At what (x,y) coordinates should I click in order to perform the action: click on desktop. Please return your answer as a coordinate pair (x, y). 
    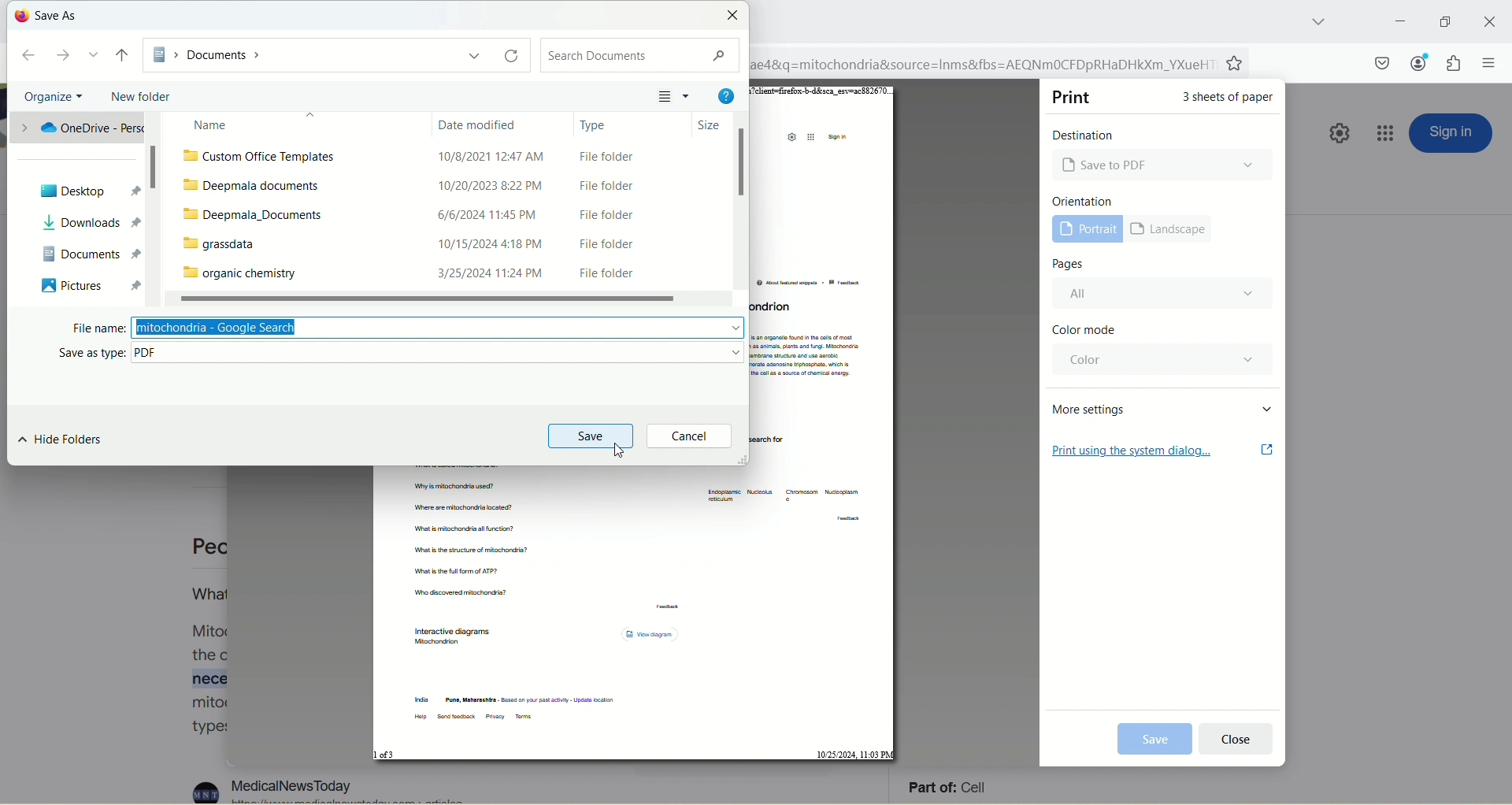
    Looking at the image, I should click on (83, 189).